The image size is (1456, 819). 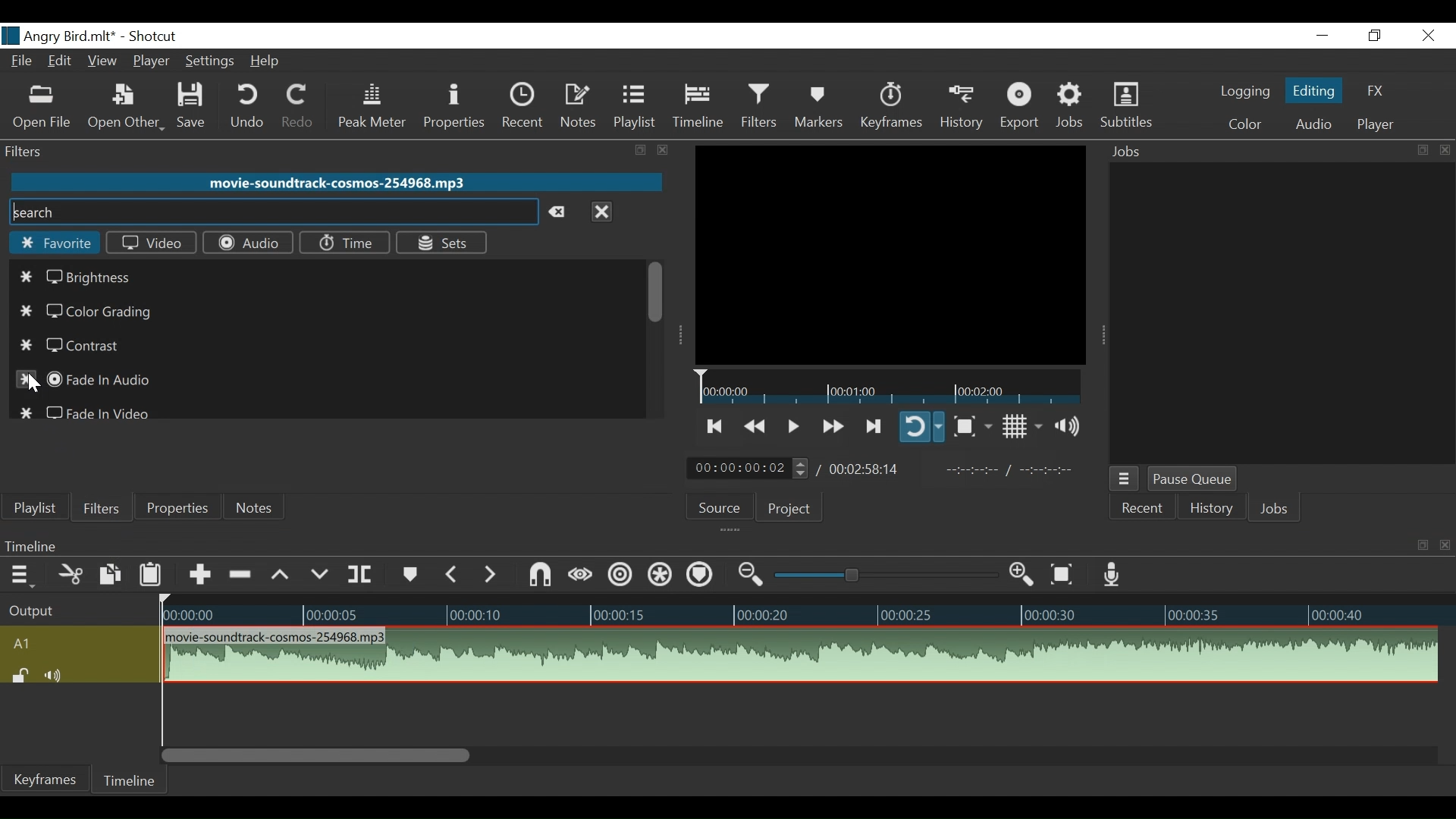 I want to click on Current Duration, so click(x=748, y=467).